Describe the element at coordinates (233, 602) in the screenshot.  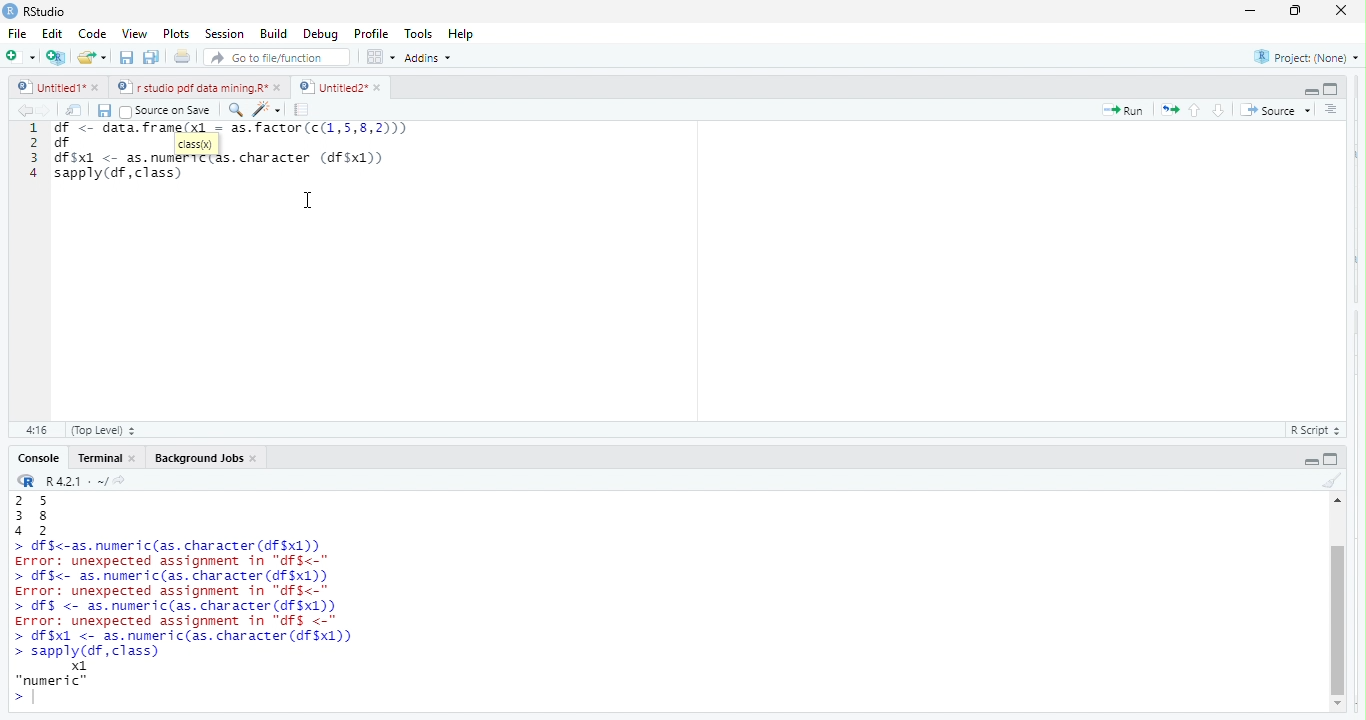
I see `Ea
38
a2
> df$<-as. numeric (as. character (df$x1))
Error: unexpected assignment in "dfs<-"
> df$<- as.numeric(as. character (df$x1))
Error: unexpected assignment in "dfS<-"
> df§ <- as.numeric(as. character (6f$x1))
Error: unexpected assignment in “dfs <-"
> df $x1 <- as.numeric(as. character (df$x1))
> sapply(df, class)

x1
“numeric”
>` at that location.